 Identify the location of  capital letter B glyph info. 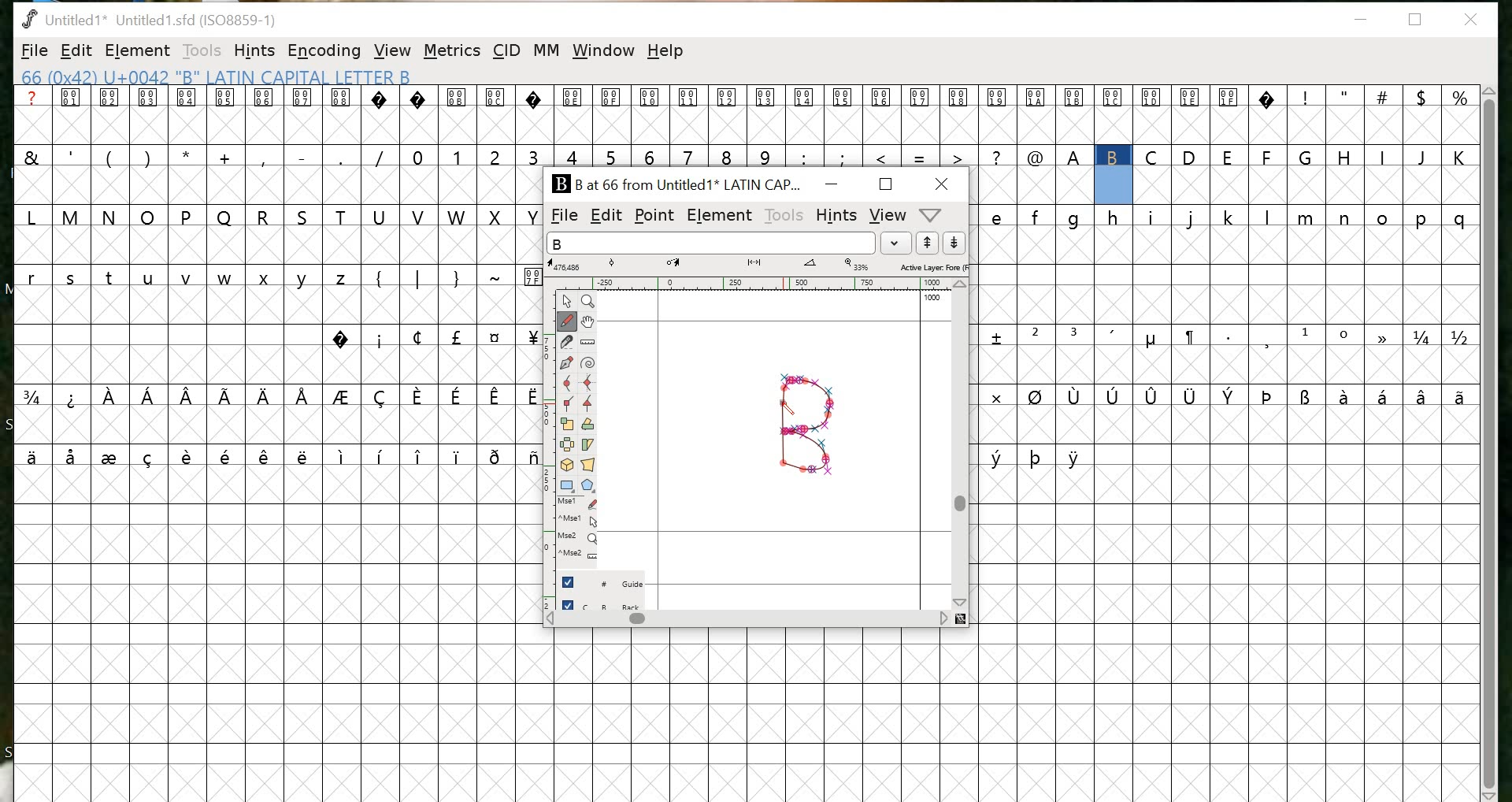
(220, 76).